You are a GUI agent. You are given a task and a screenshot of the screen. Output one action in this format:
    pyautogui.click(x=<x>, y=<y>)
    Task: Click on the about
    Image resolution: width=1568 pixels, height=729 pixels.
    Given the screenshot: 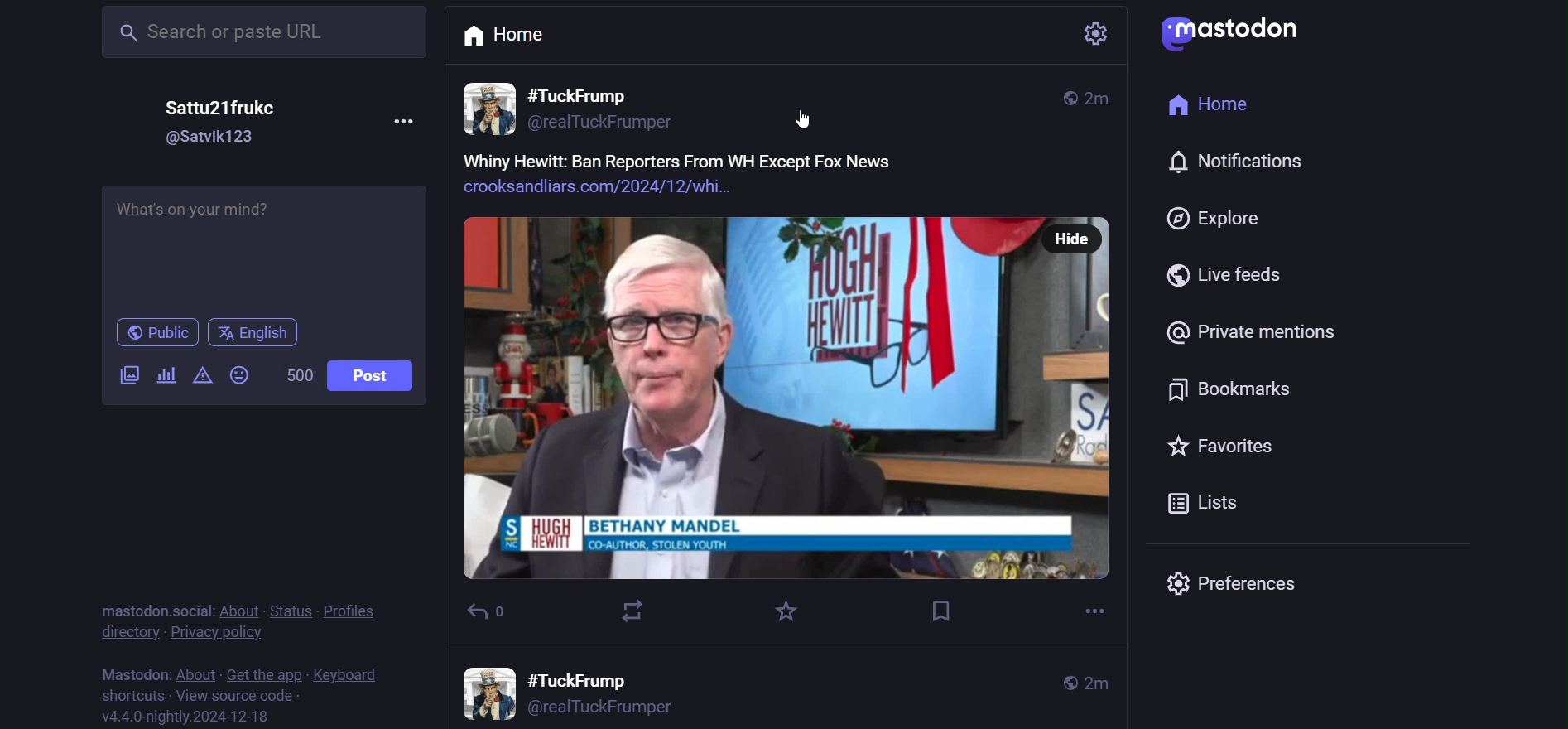 What is the action you would take?
    pyautogui.click(x=195, y=673)
    